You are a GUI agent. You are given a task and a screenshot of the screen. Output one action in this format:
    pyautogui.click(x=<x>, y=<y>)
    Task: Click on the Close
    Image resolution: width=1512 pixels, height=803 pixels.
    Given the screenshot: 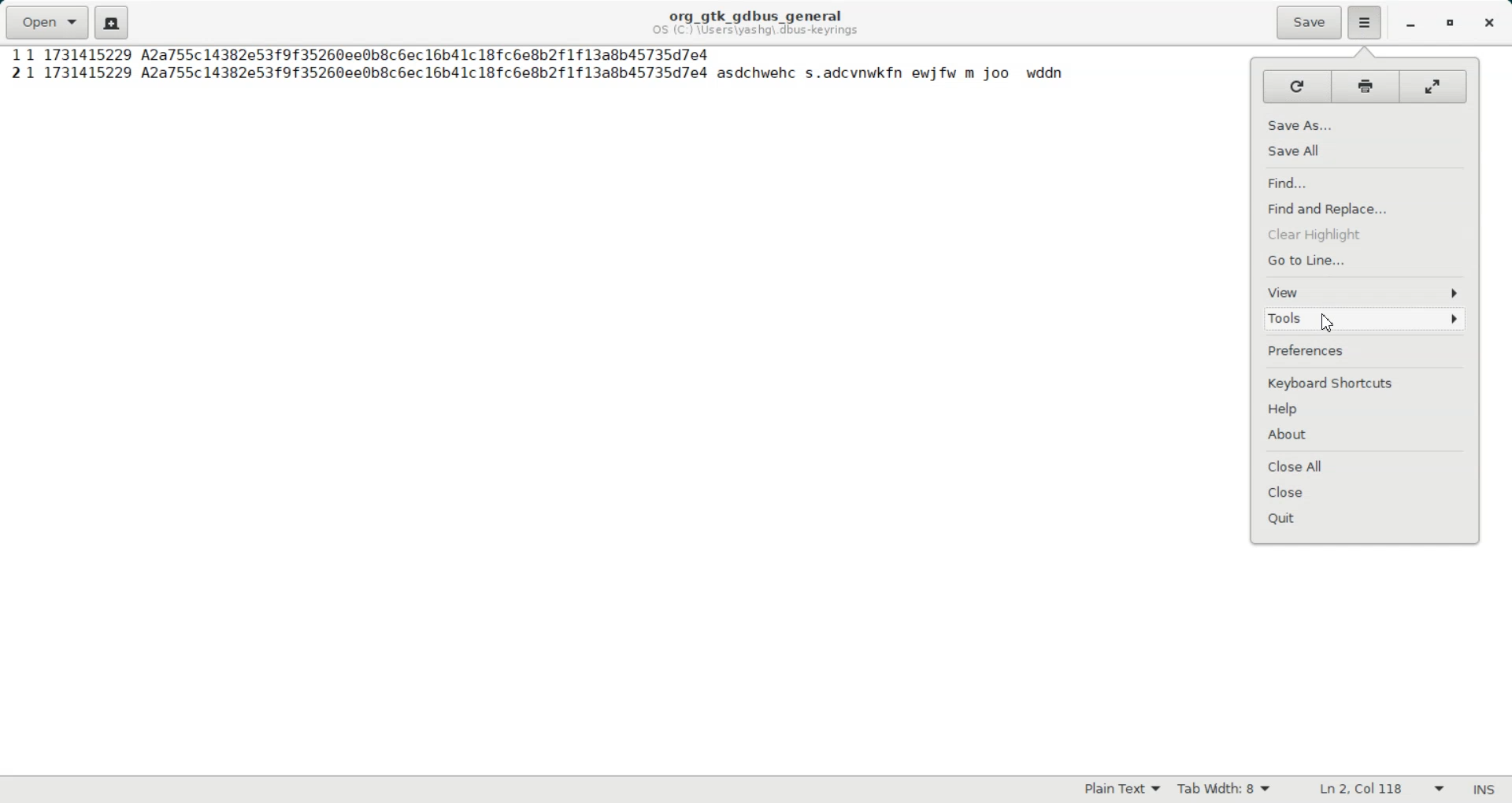 What is the action you would take?
    pyautogui.click(x=1364, y=492)
    